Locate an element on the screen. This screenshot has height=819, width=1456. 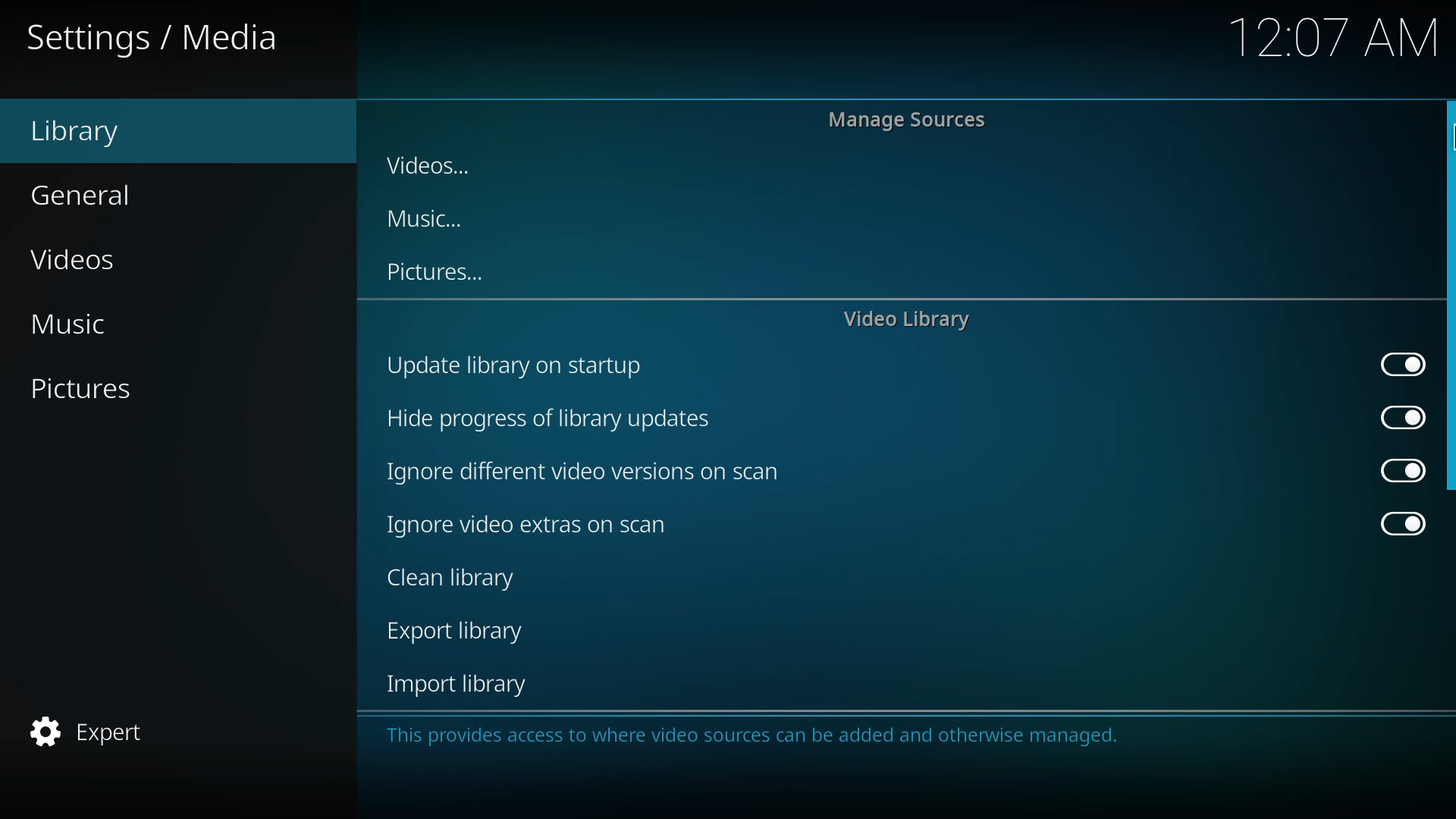
disabled is located at coordinates (1395, 526).